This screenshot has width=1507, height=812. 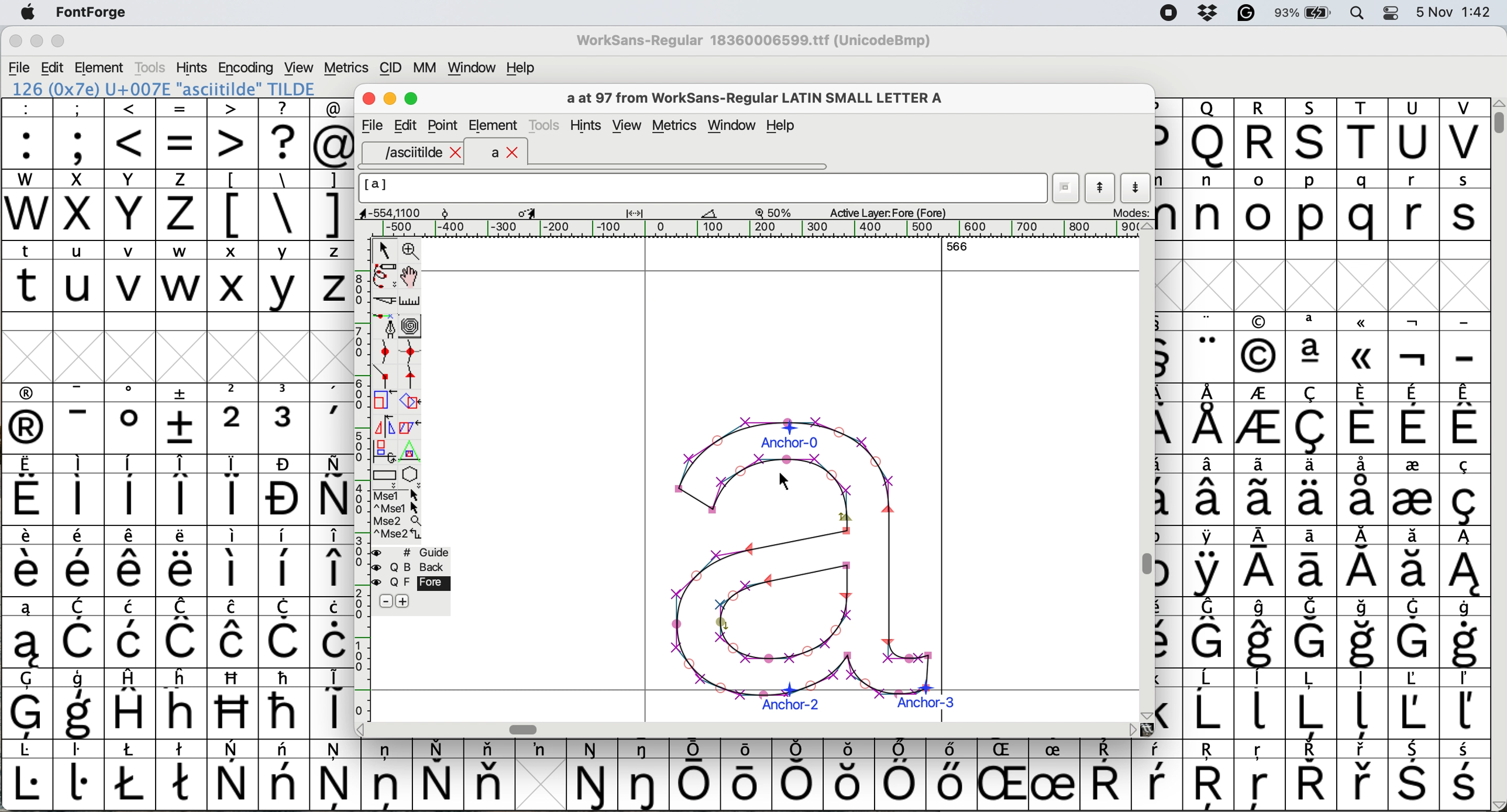 I want to click on symbol, so click(x=1209, y=348).